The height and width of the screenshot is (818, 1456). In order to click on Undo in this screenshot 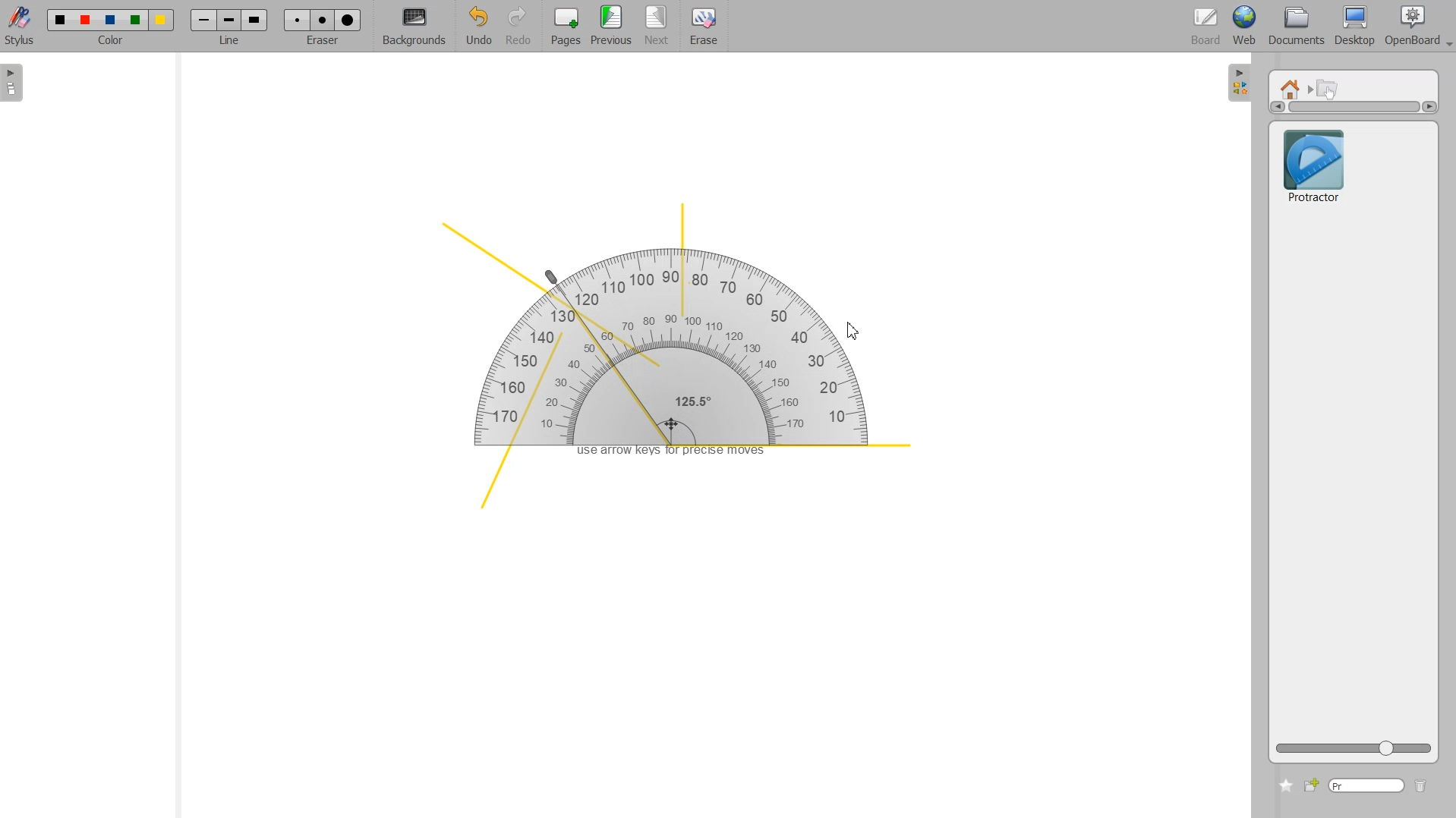, I will do `click(476, 27)`.